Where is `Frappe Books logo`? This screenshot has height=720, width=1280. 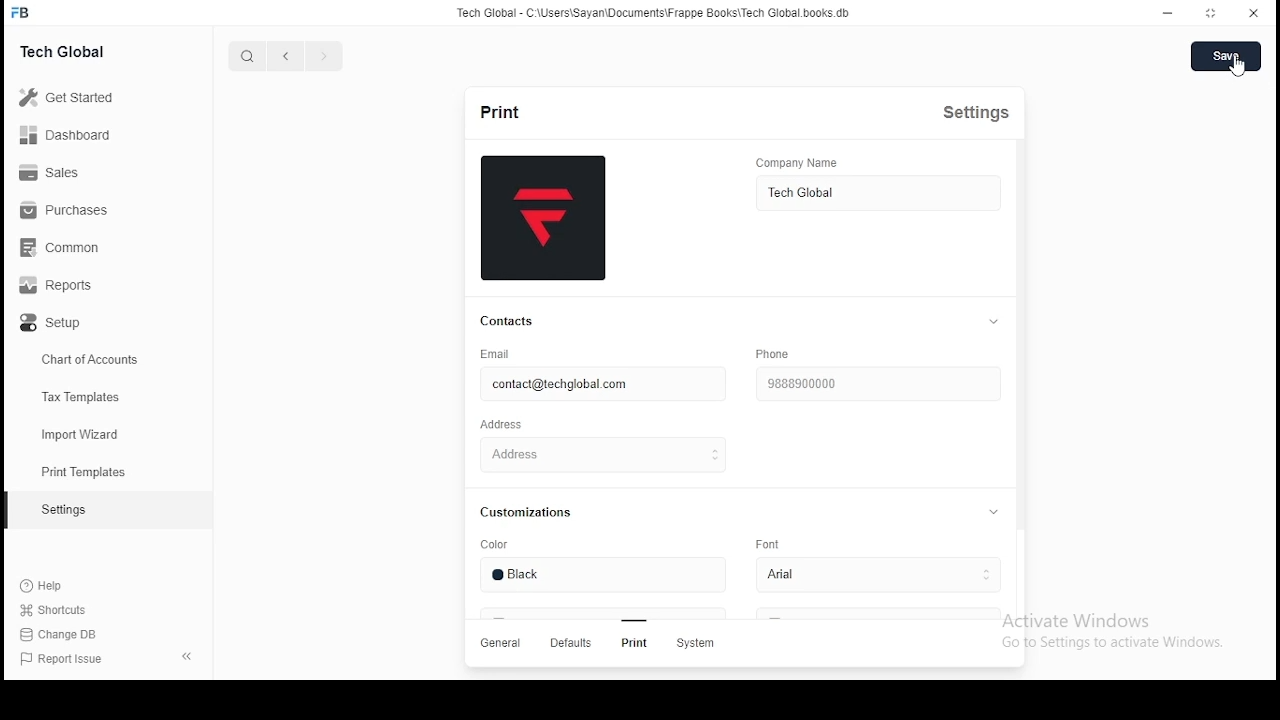
Frappe Books logo is located at coordinates (23, 13).